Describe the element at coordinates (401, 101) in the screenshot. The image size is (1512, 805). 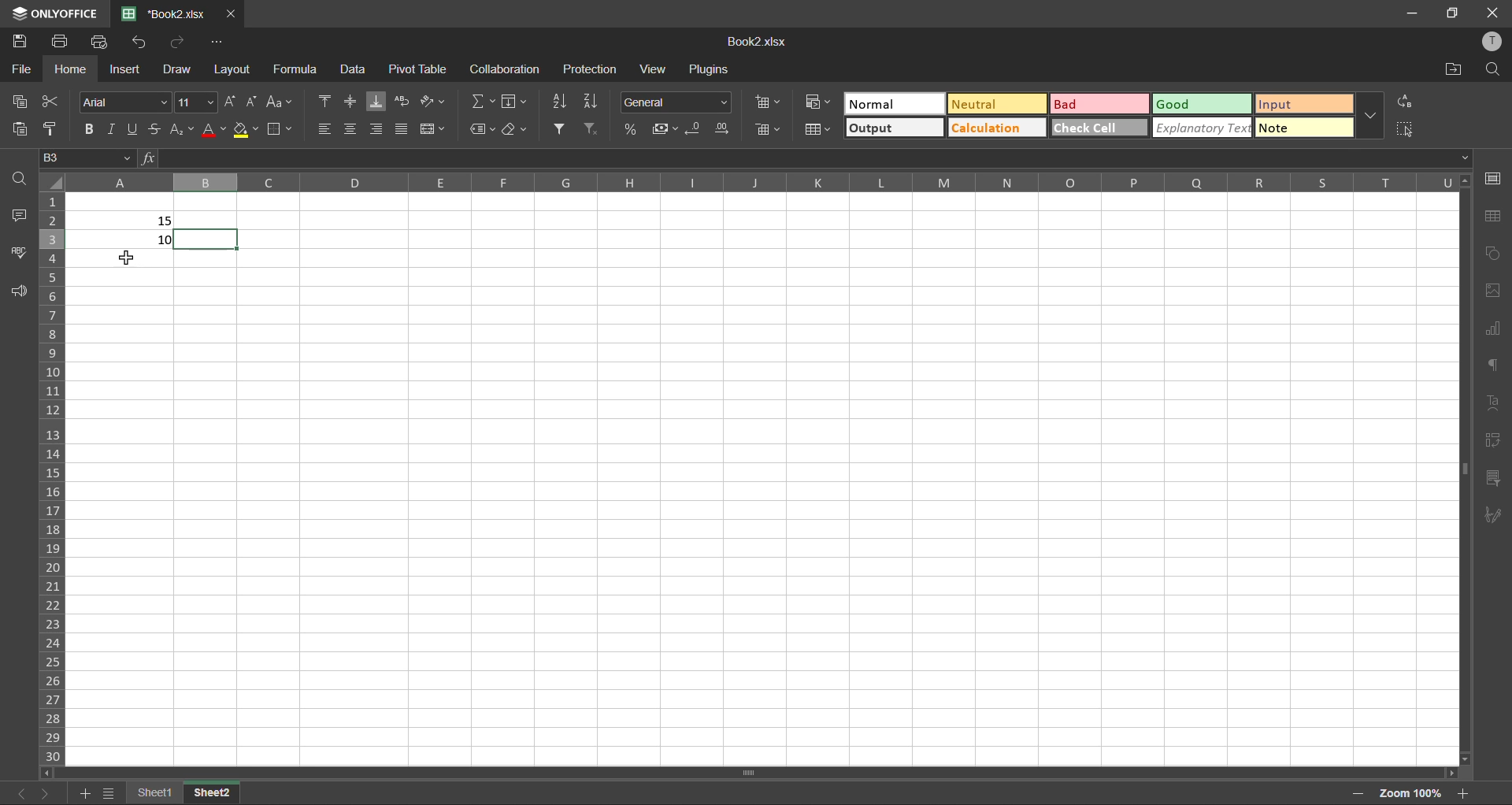
I see `wrap text` at that location.